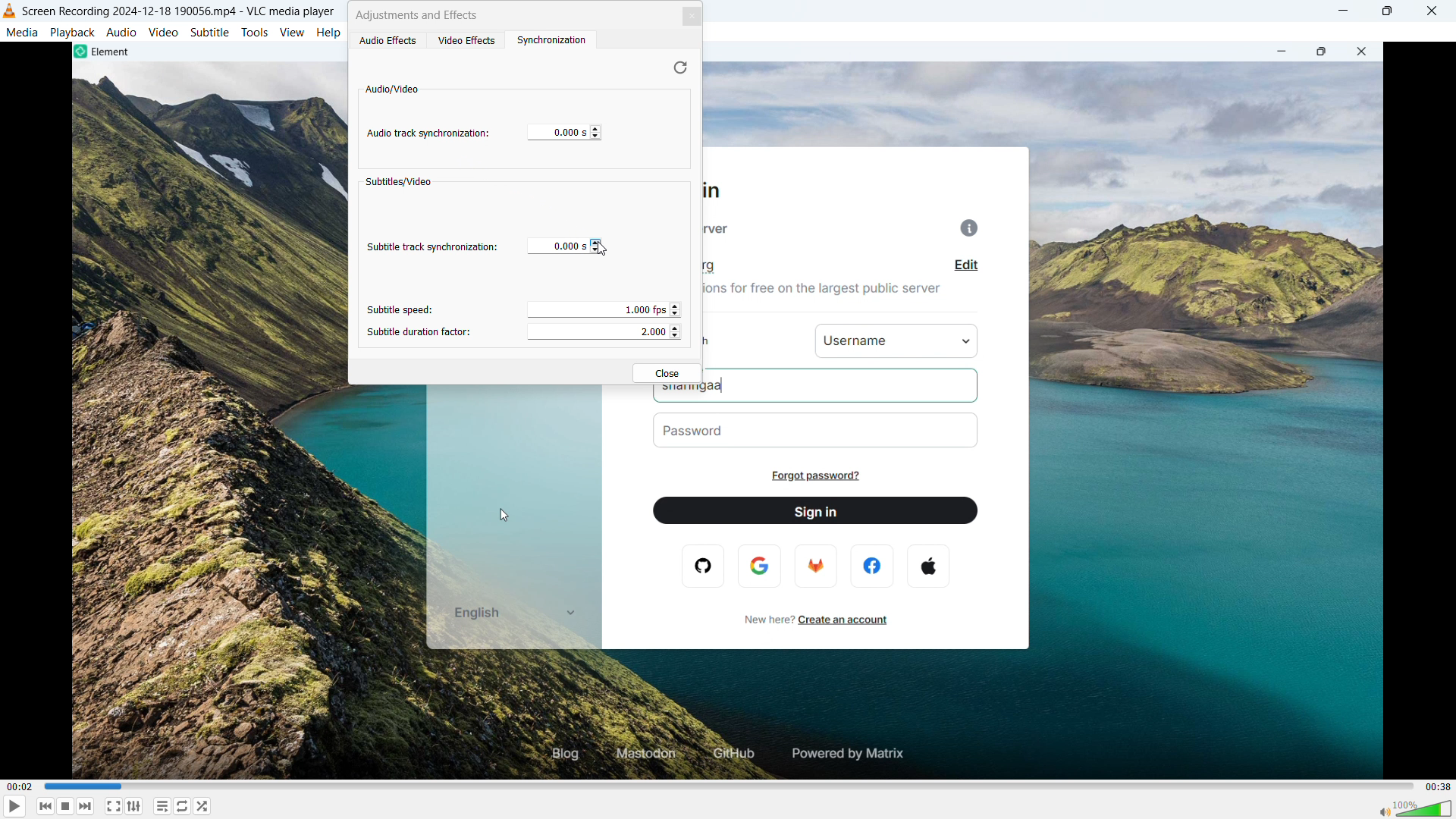  Describe the element at coordinates (420, 14) in the screenshot. I see `adjustments & effects` at that location.